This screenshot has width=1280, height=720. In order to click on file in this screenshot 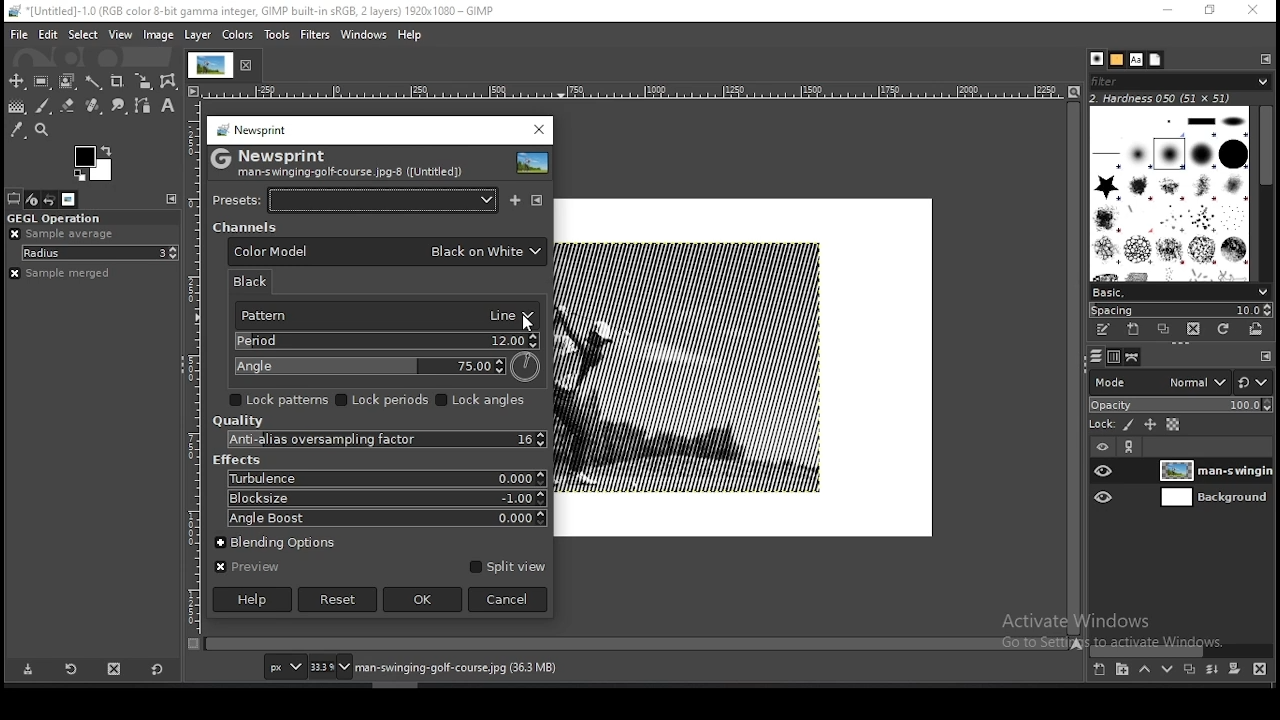, I will do `click(16, 35)`.